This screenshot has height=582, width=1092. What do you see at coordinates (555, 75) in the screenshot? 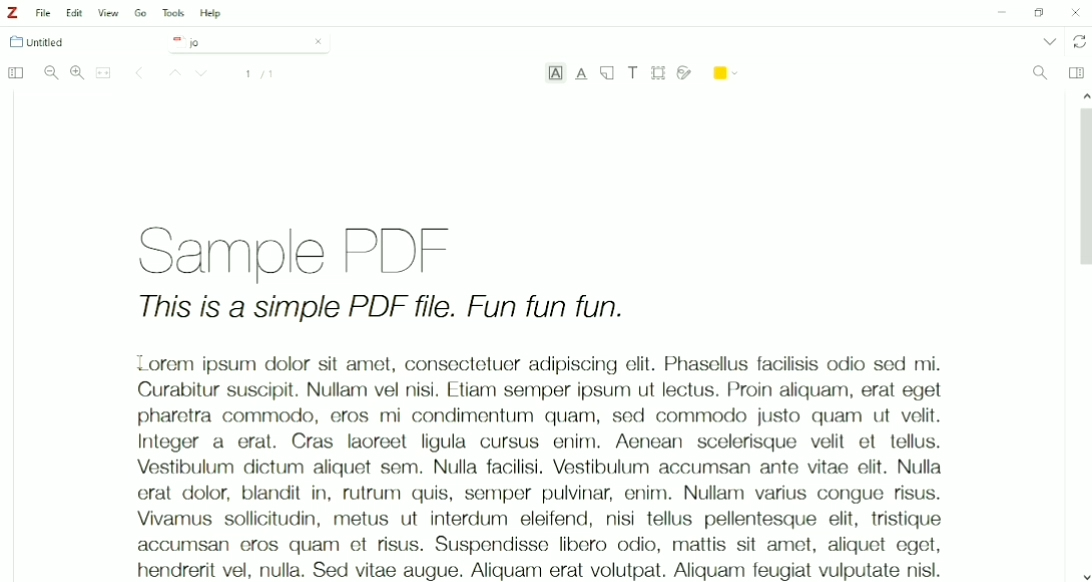
I see `Highlight Text` at bounding box center [555, 75].